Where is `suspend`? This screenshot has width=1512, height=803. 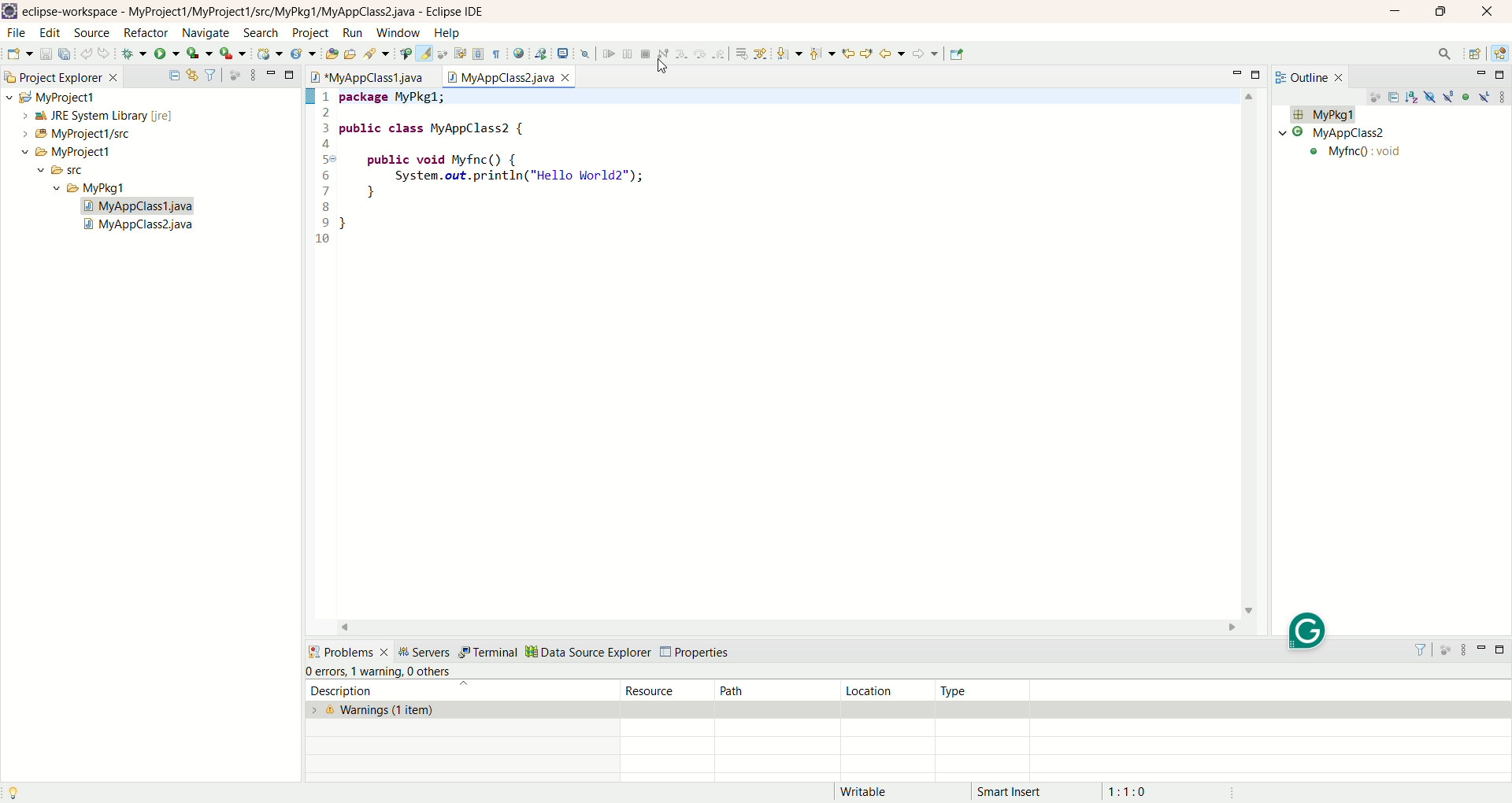
suspend is located at coordinates (627, 56).